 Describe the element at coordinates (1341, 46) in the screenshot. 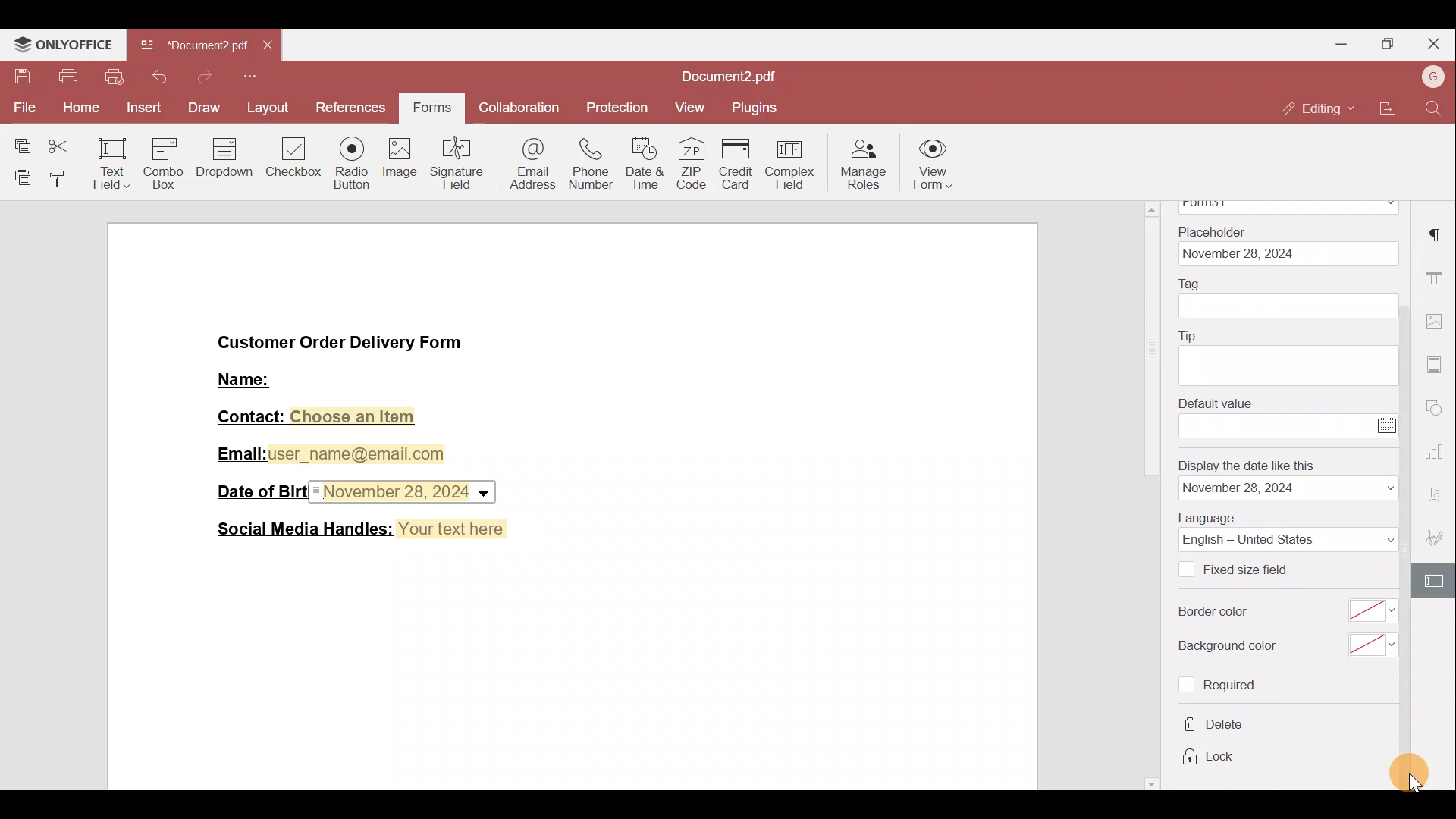

I see `Minimise` at that location.